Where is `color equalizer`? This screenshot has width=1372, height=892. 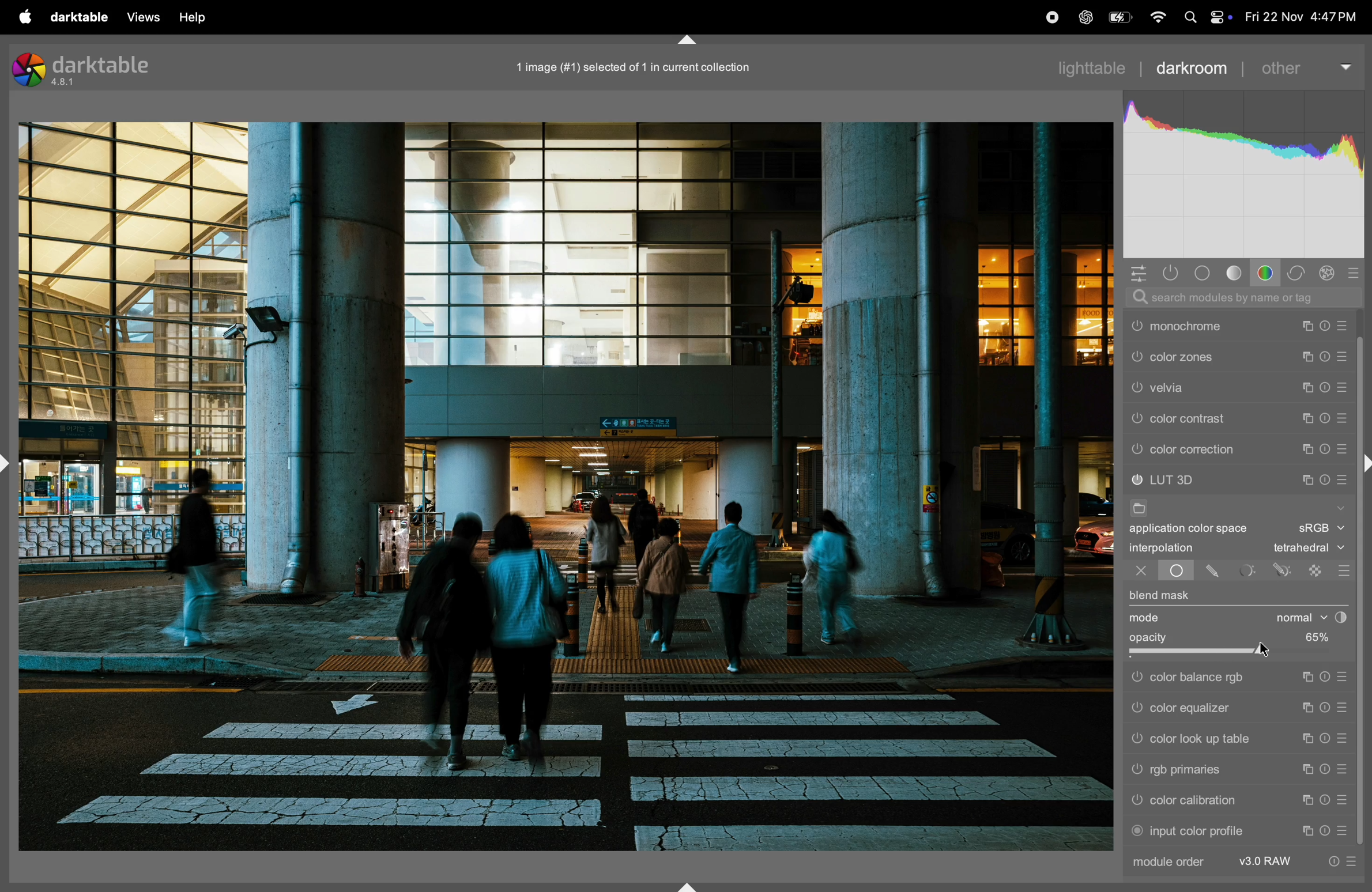 color equalizer is located at coordinates (1211, 709).